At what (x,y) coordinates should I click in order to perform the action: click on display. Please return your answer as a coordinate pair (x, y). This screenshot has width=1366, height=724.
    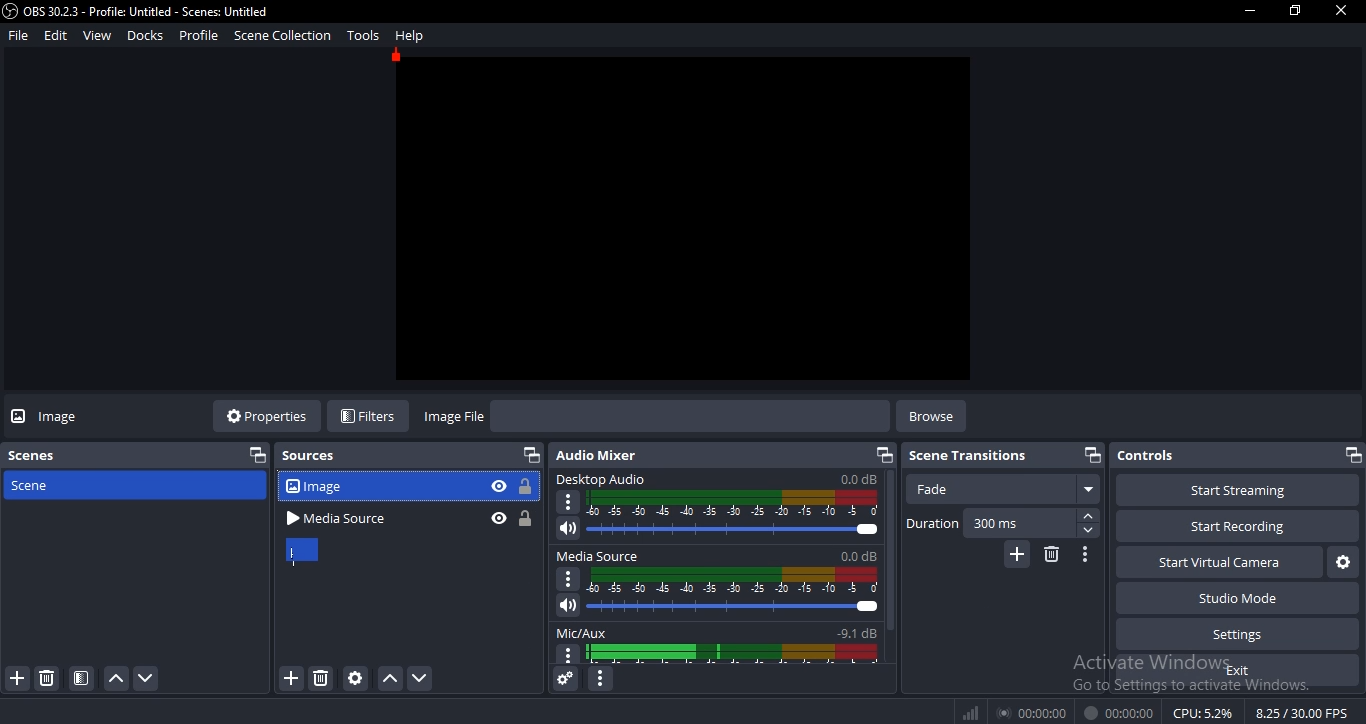
    Looking at the image, I should click on (735, 654).